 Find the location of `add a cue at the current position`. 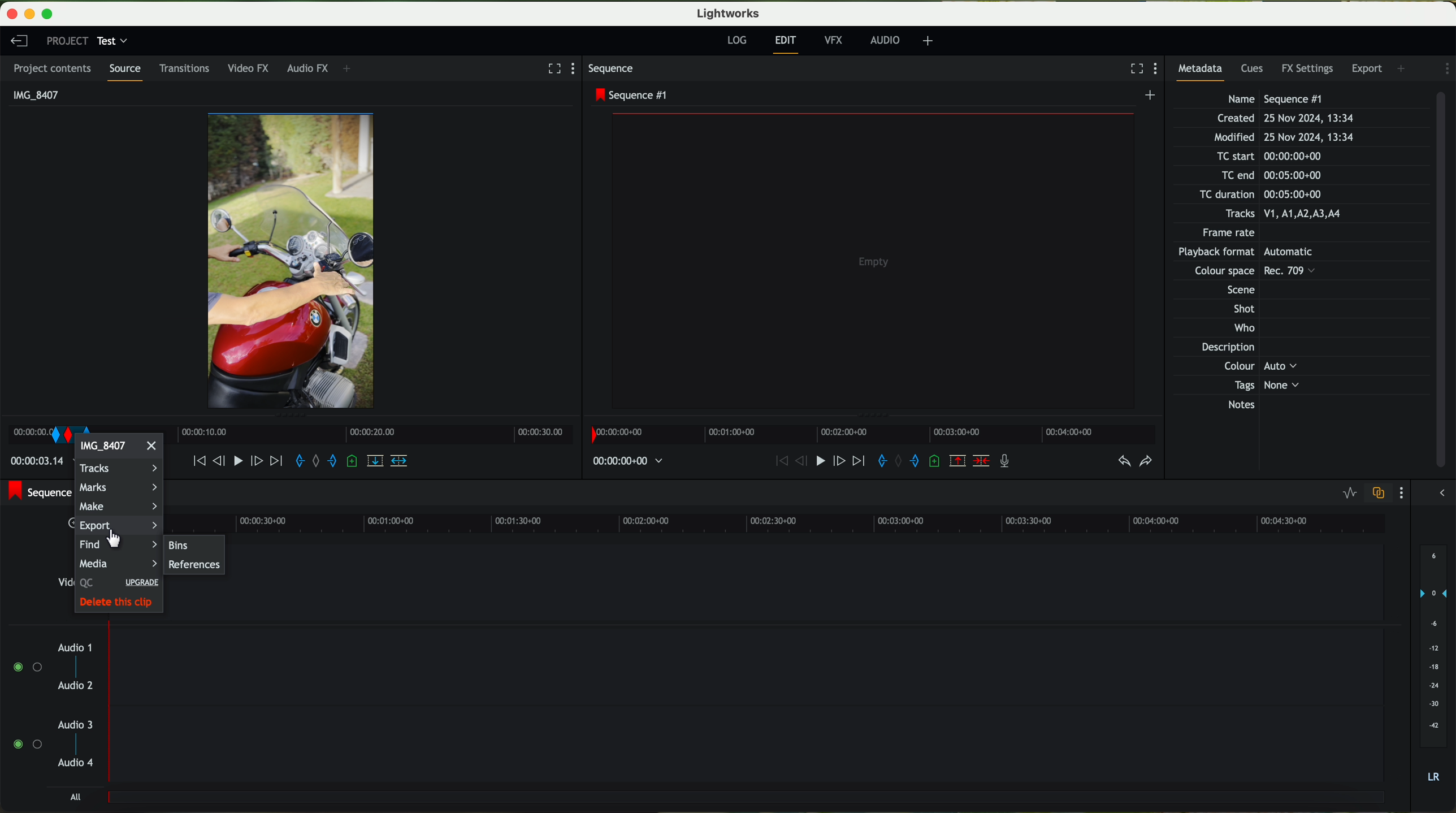

add a cue at the current position is located at coordinates (937, 462).